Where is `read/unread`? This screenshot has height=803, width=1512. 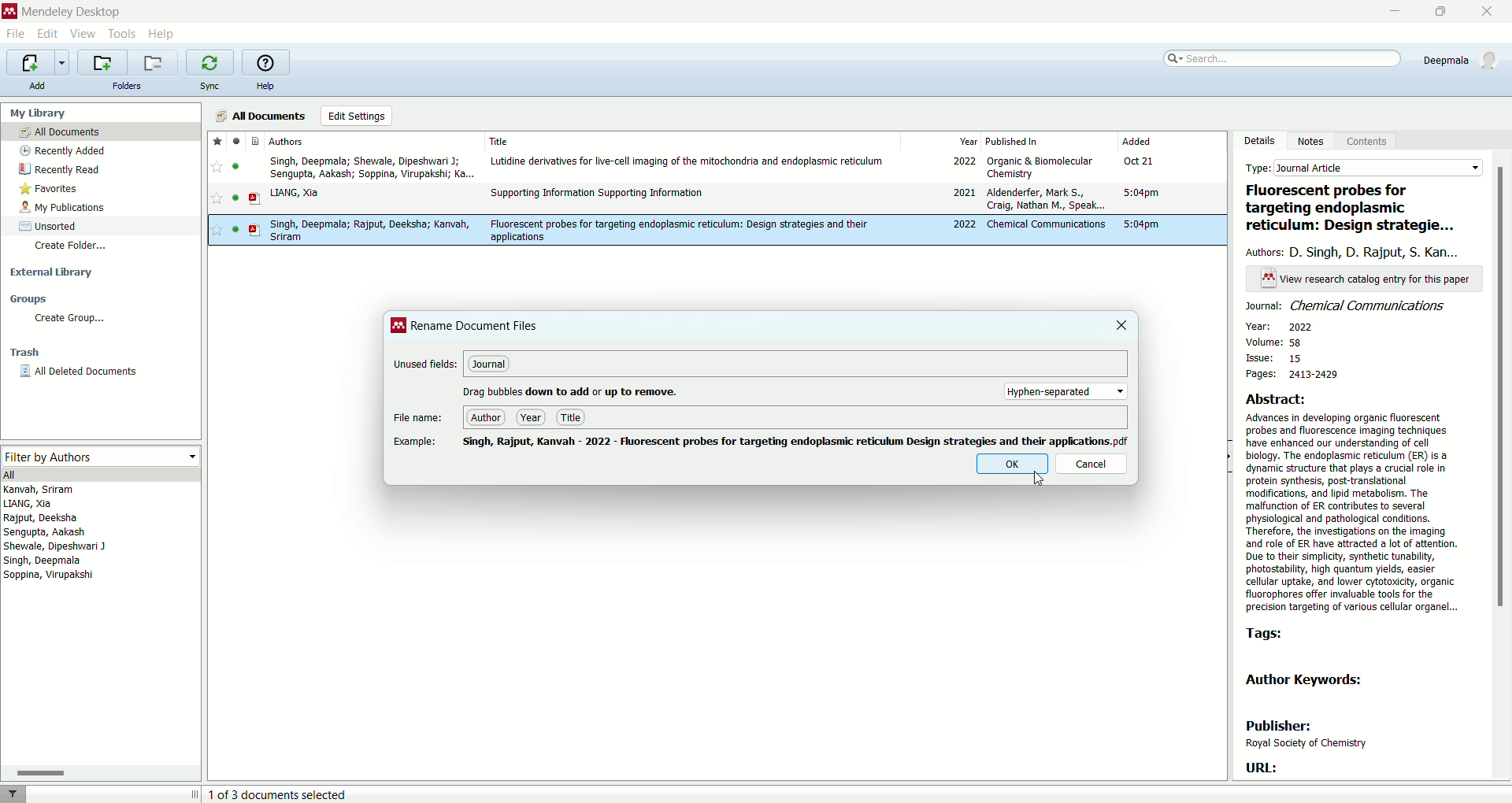 read/unread is located at coordinates (235, 200).